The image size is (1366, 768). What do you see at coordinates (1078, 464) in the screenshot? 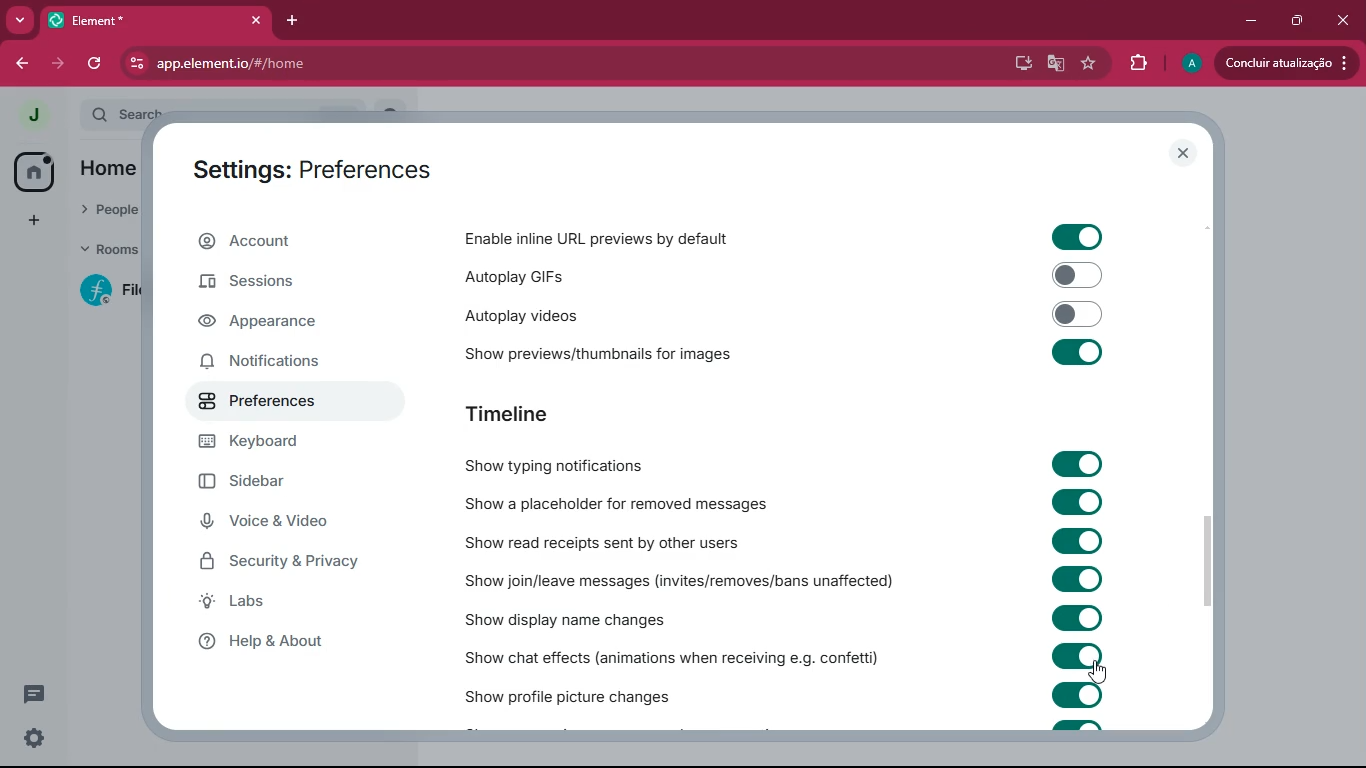
I see `toggle on/off` at bounding box center [1078, 464].